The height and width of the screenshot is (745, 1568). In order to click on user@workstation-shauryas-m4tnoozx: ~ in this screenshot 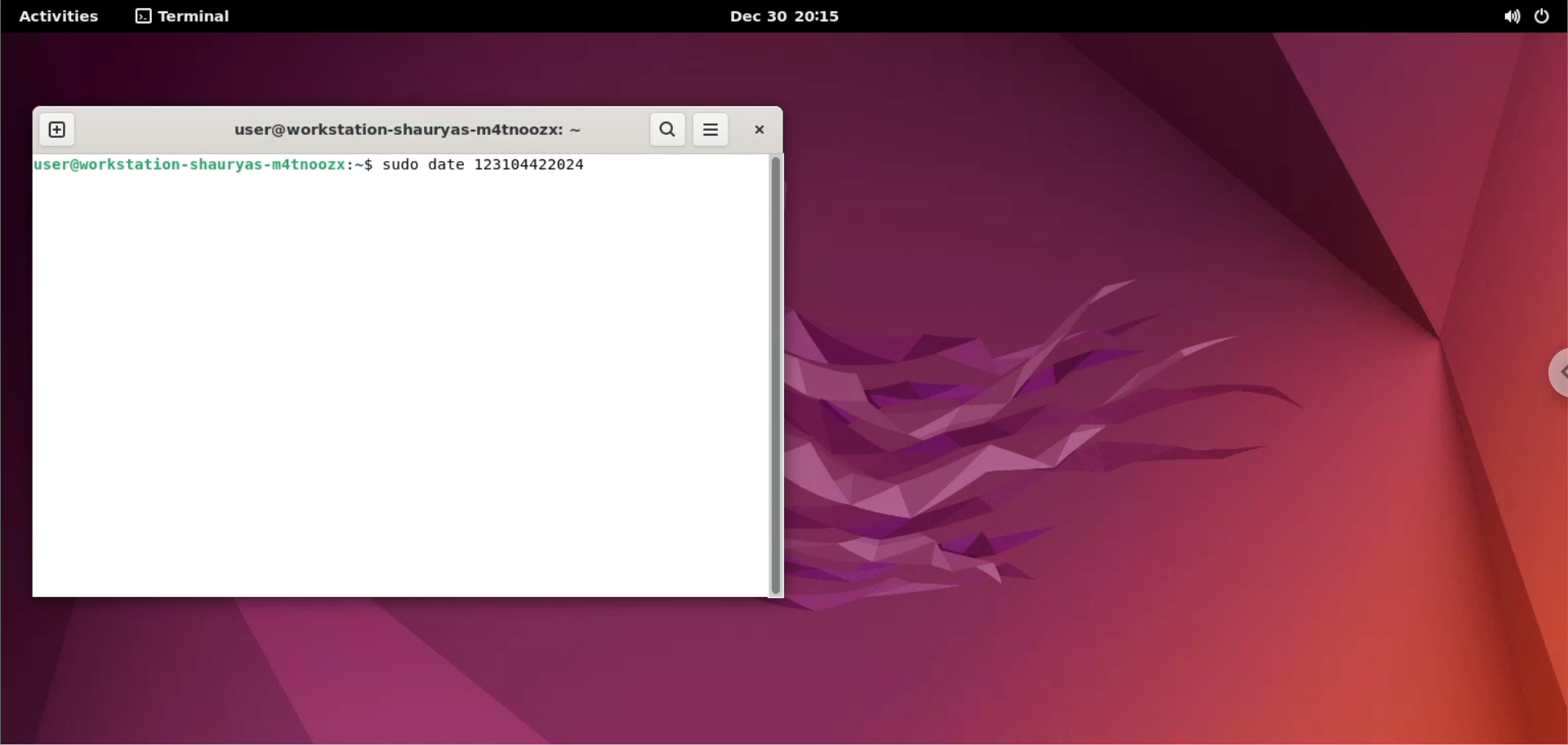, I will do `click(402, 131)`.